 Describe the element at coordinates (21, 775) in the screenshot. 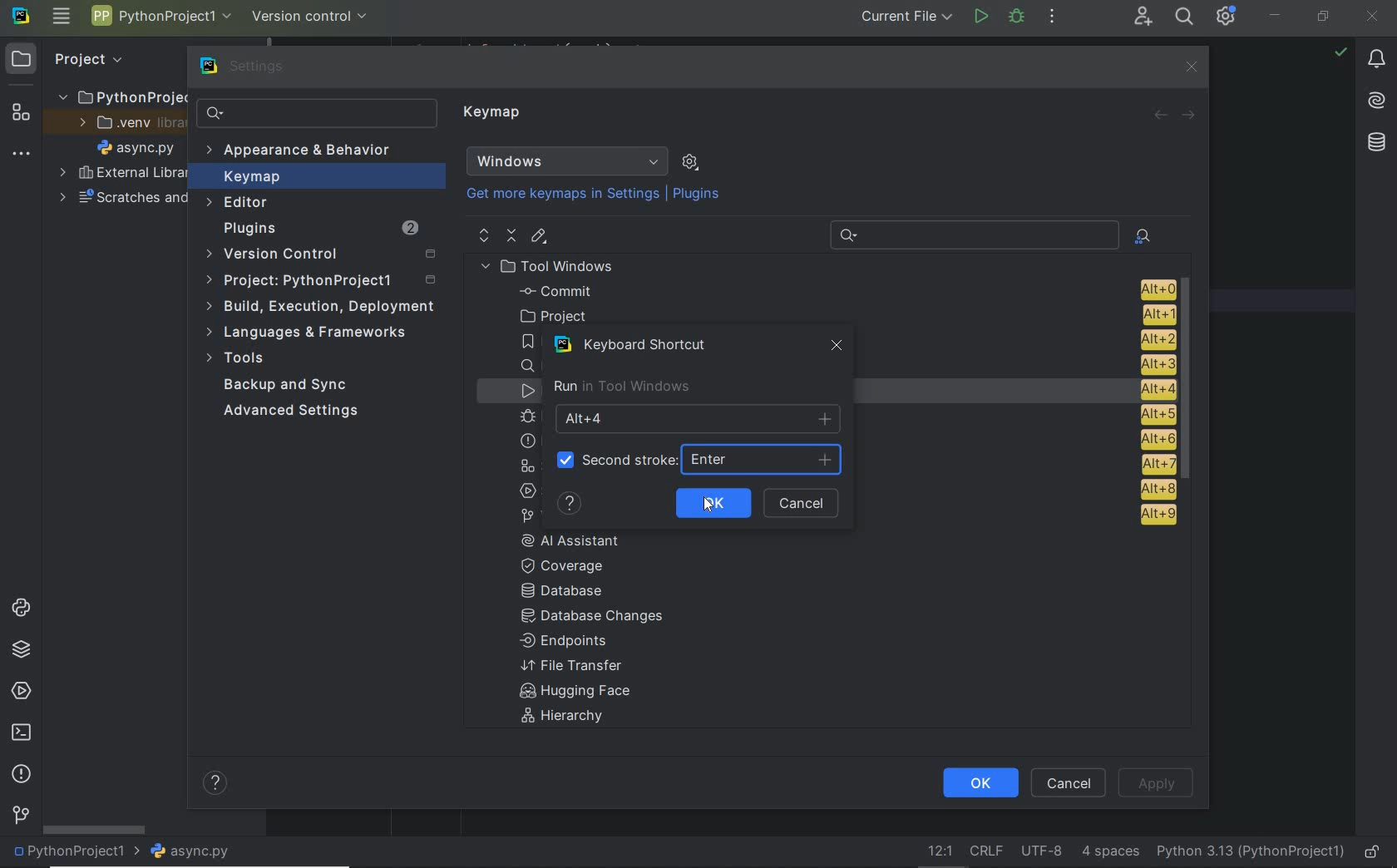

I see `problems` at that location.